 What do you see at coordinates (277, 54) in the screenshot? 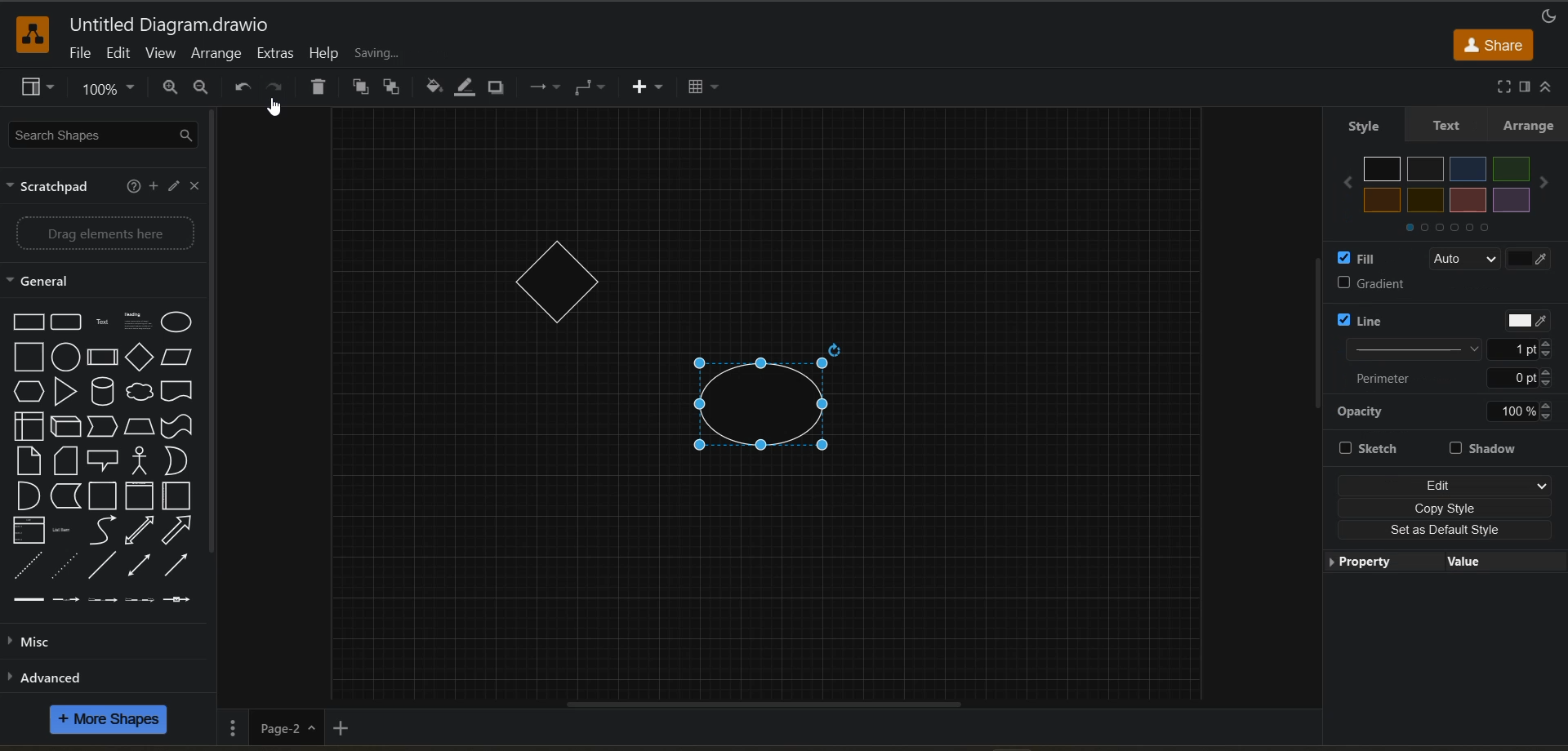
I see `extras` at bounding box center [277, 54].